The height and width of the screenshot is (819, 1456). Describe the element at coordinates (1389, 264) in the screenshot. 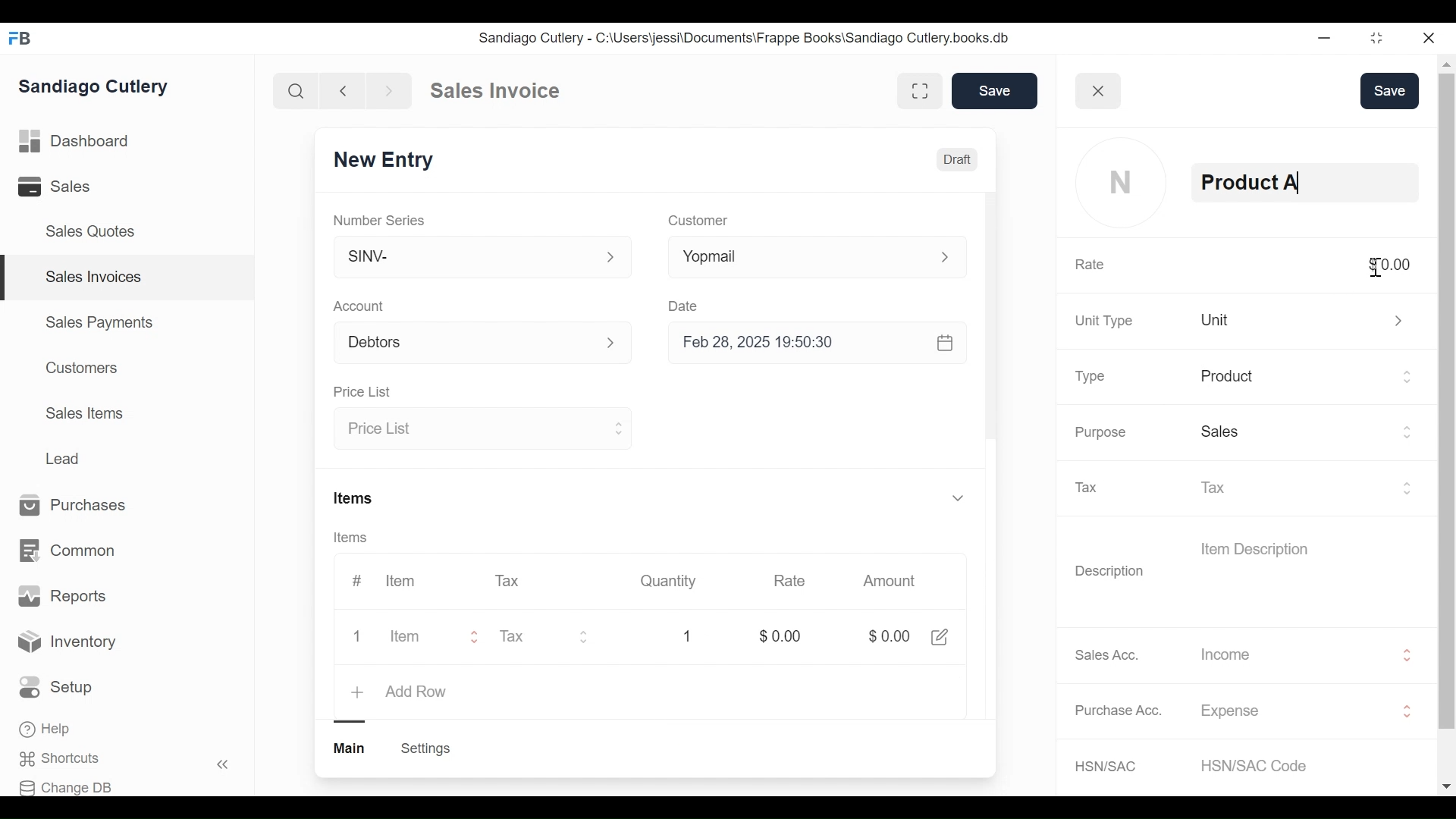

I see `$0.00` at that location.